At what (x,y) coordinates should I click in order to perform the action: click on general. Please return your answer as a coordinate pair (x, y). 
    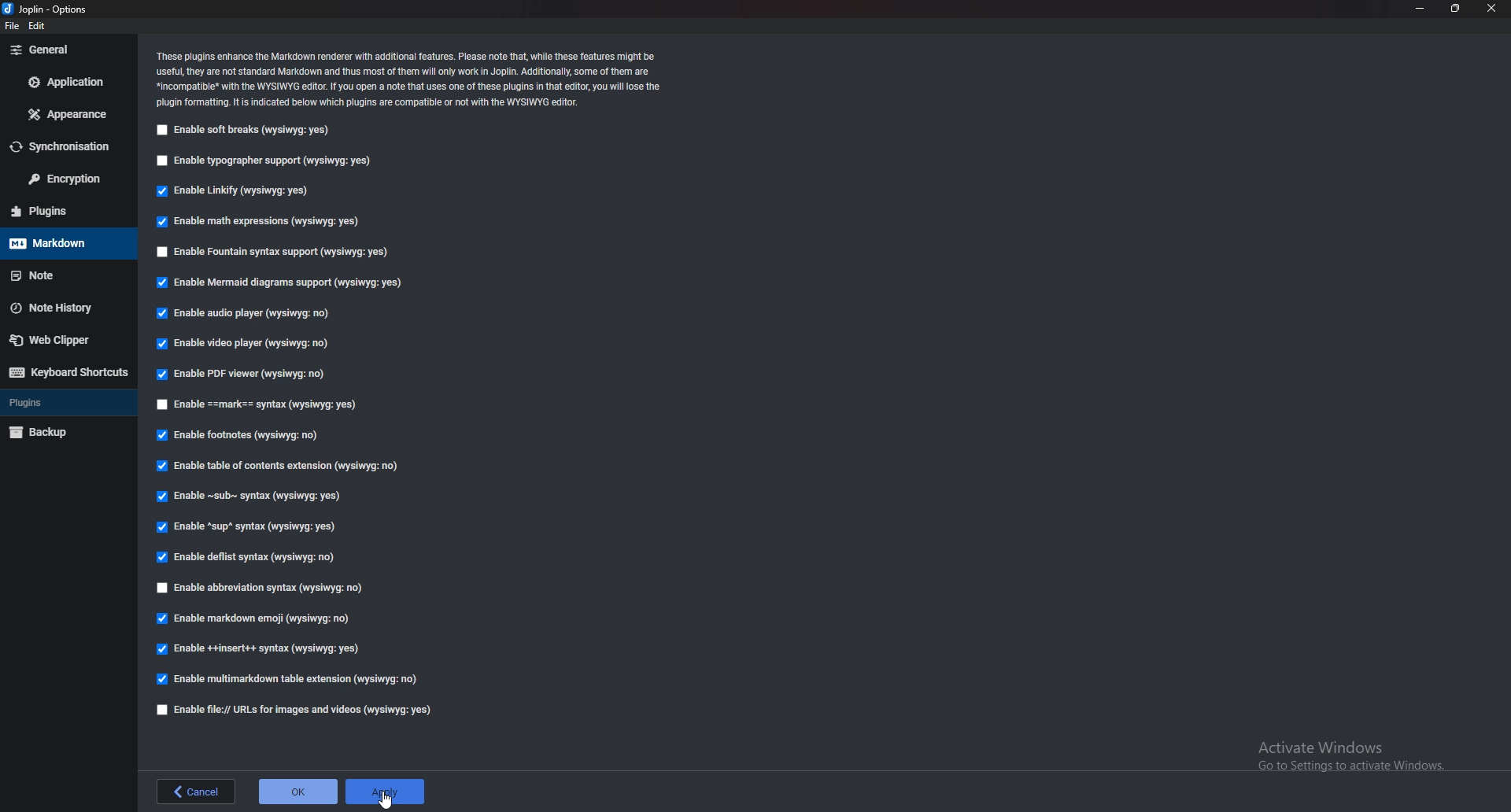
    Looking at the image, I should click on (63, 51).